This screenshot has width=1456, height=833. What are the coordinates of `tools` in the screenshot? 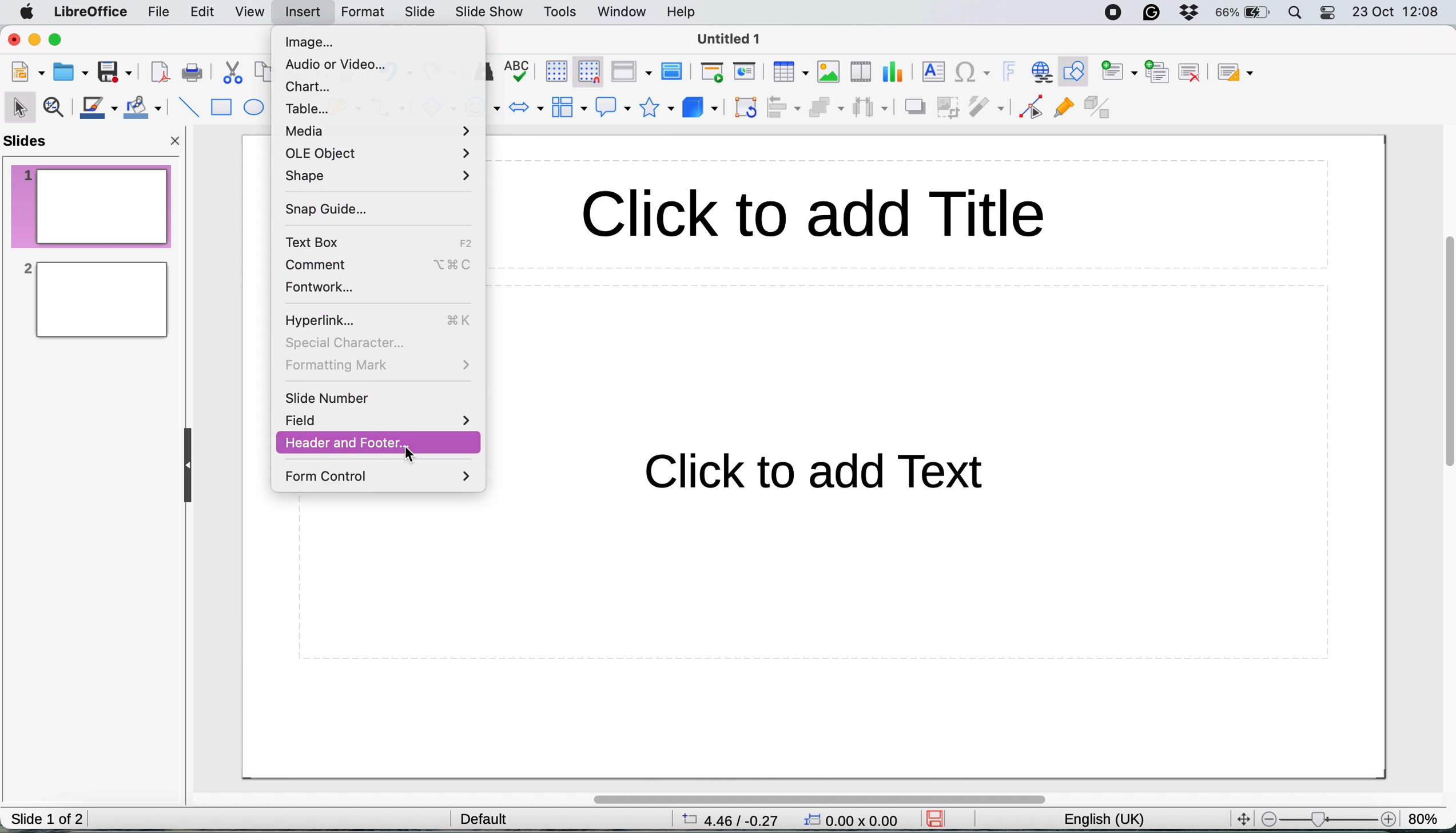 It's located at (561, 13).